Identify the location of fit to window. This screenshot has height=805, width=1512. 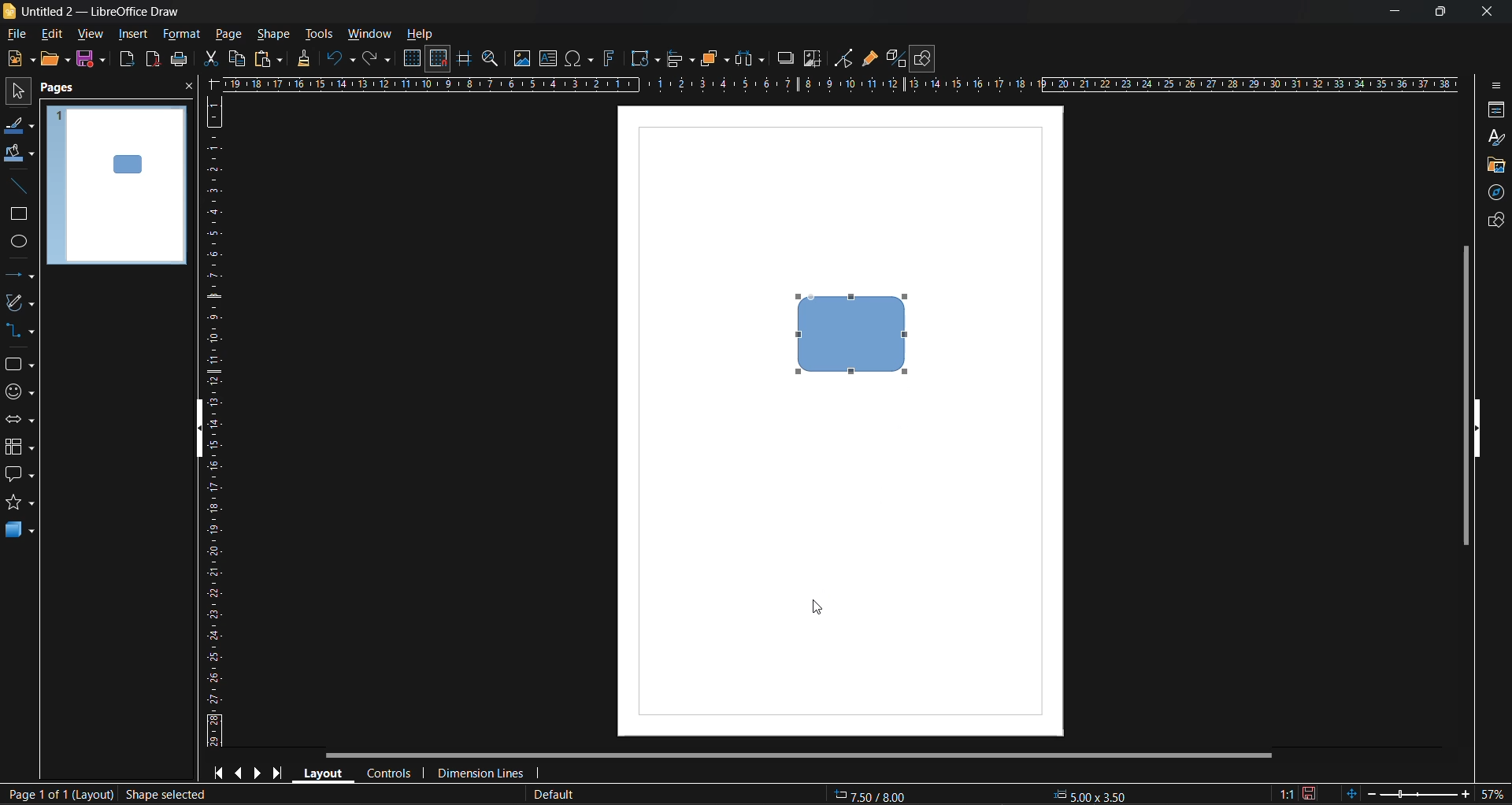
(1351, 793).